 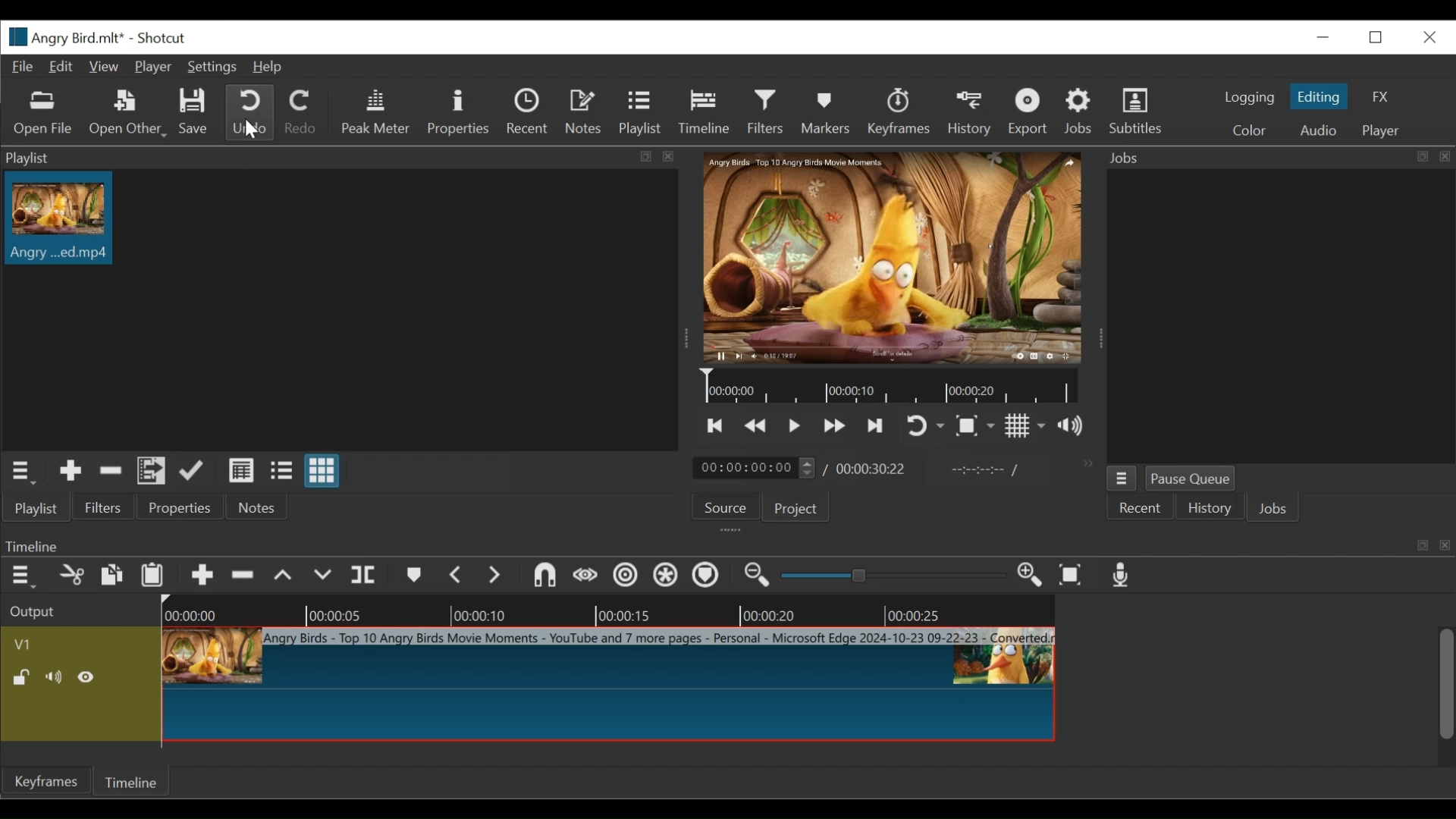 I want to click on History, so click(x=968, y=113).